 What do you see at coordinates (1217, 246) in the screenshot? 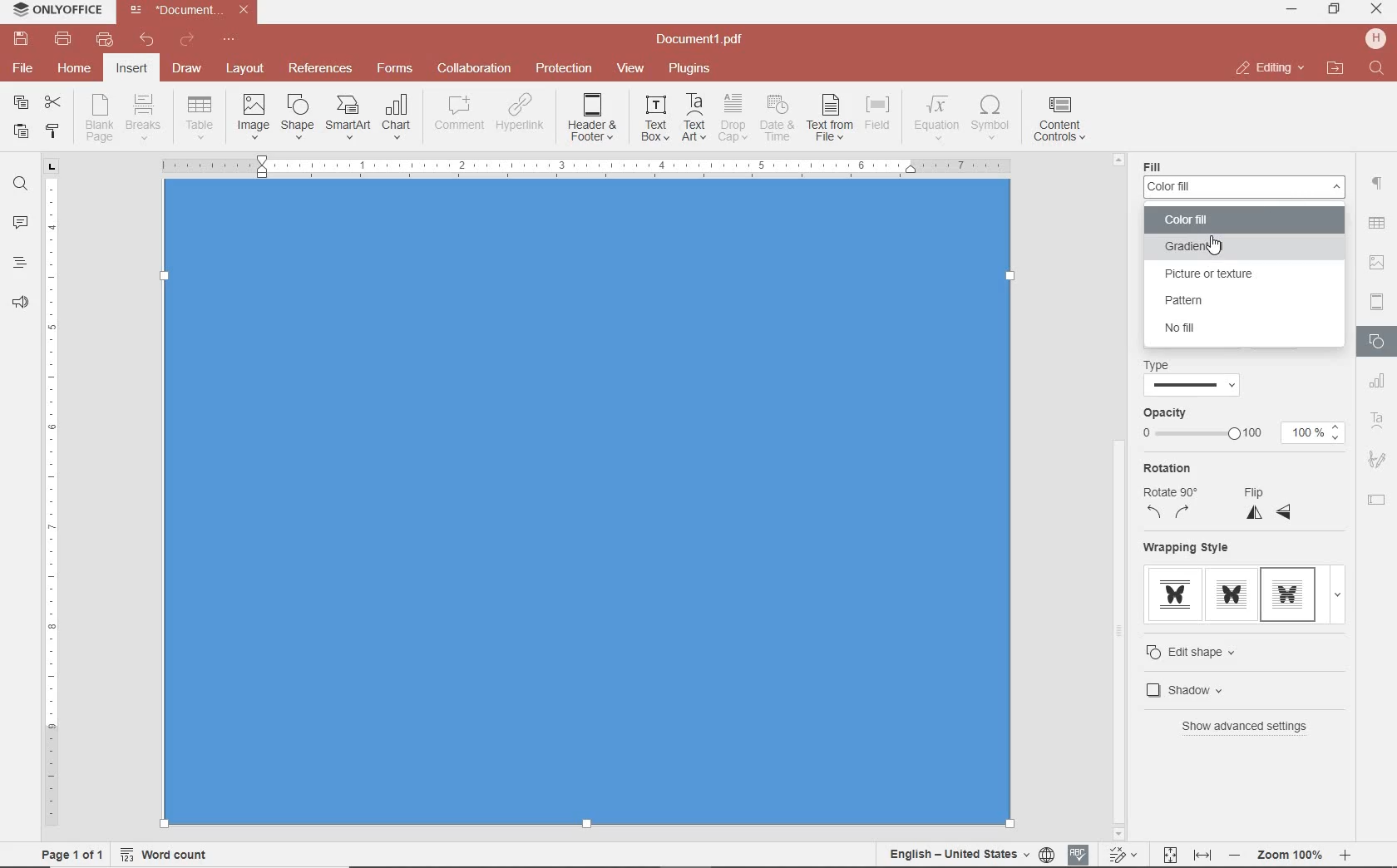
I see `` at bounding box center [1217, 246].